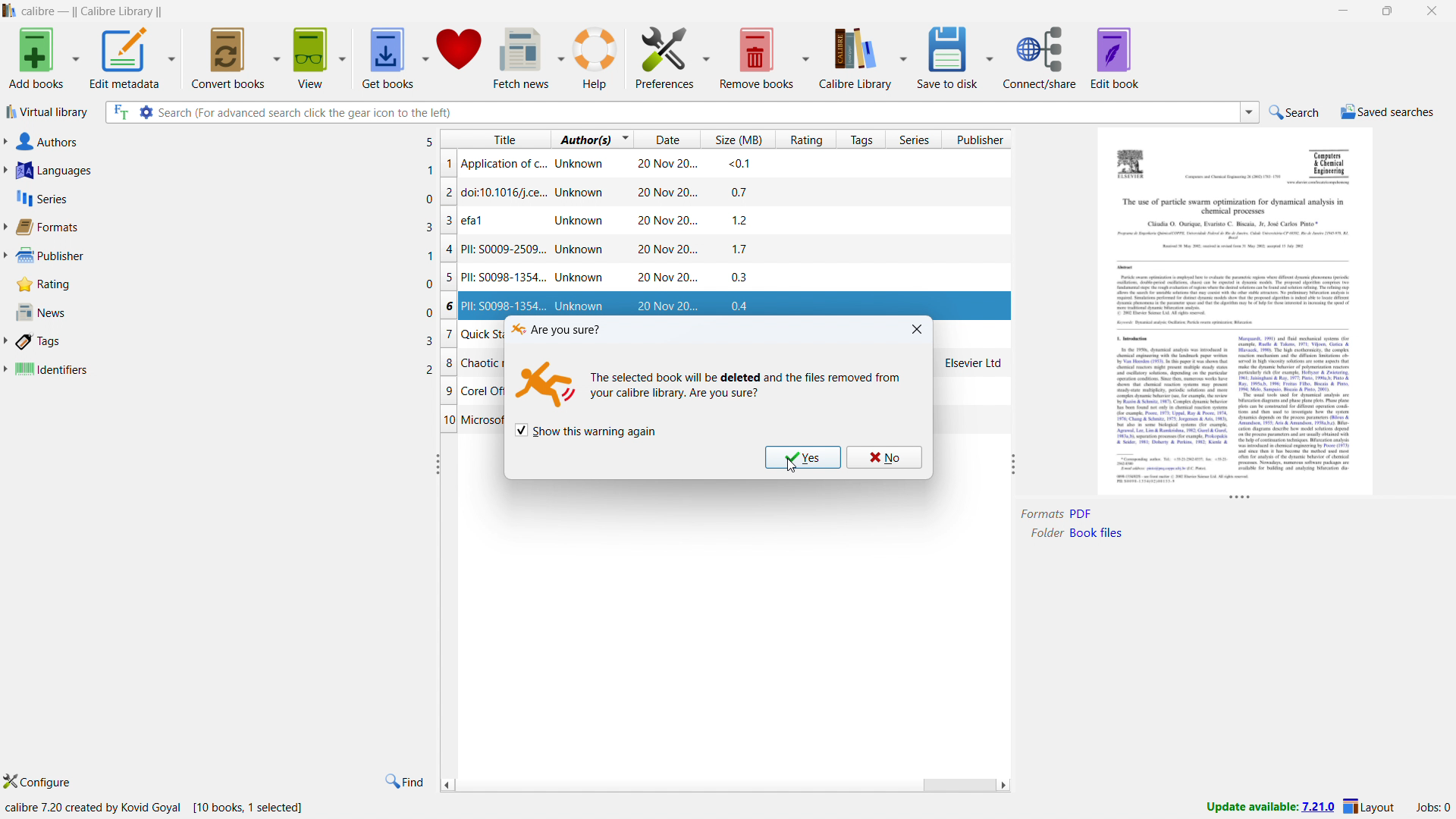 The height and width of the screenshot is (819, 1456). What do you see at coordinates (1252, 807) in the screenshot?
I see `Update available:` at bounding box center [1252, 807].